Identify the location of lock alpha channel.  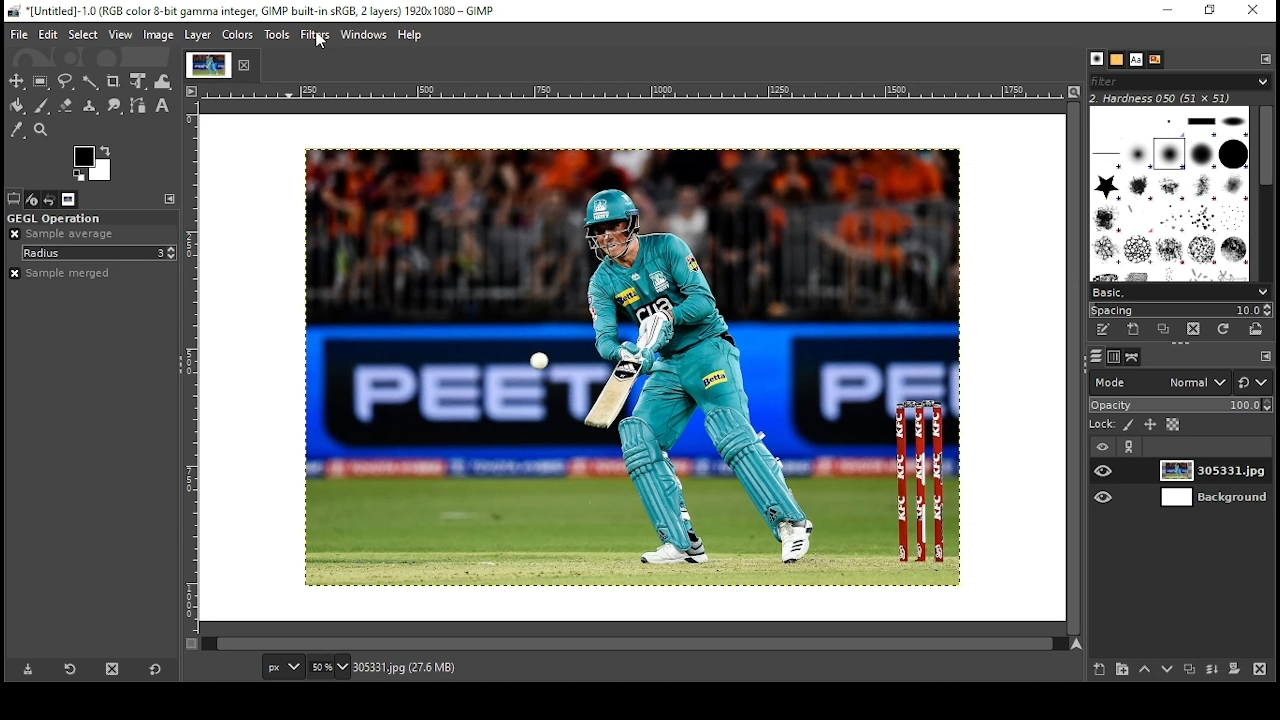
(1173, 425).